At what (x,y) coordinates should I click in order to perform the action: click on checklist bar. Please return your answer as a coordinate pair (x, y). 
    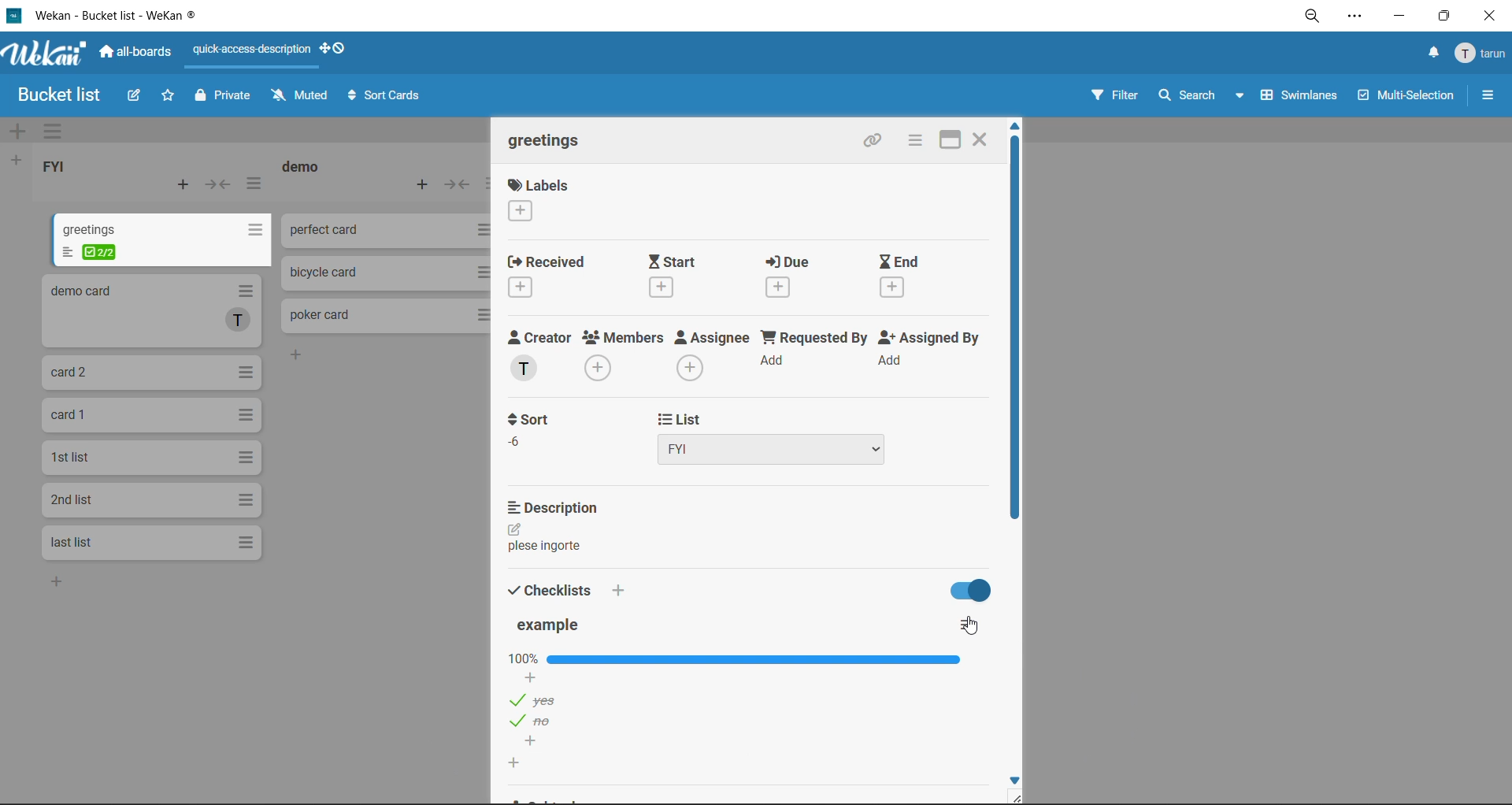
    Looking at the image, I should click on (737, 655).